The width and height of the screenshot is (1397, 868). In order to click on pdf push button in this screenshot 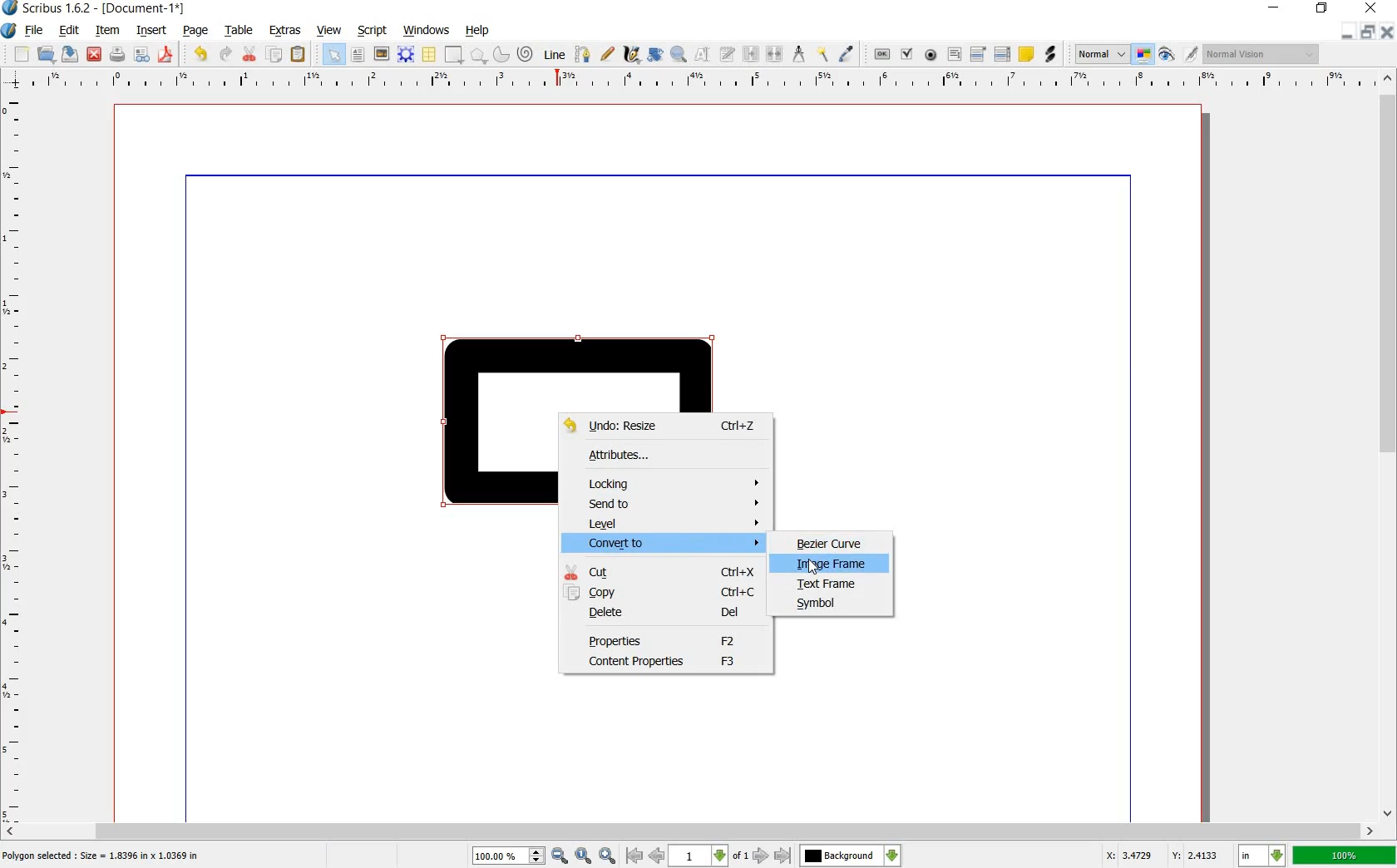, I will do `click(877, 54)`.